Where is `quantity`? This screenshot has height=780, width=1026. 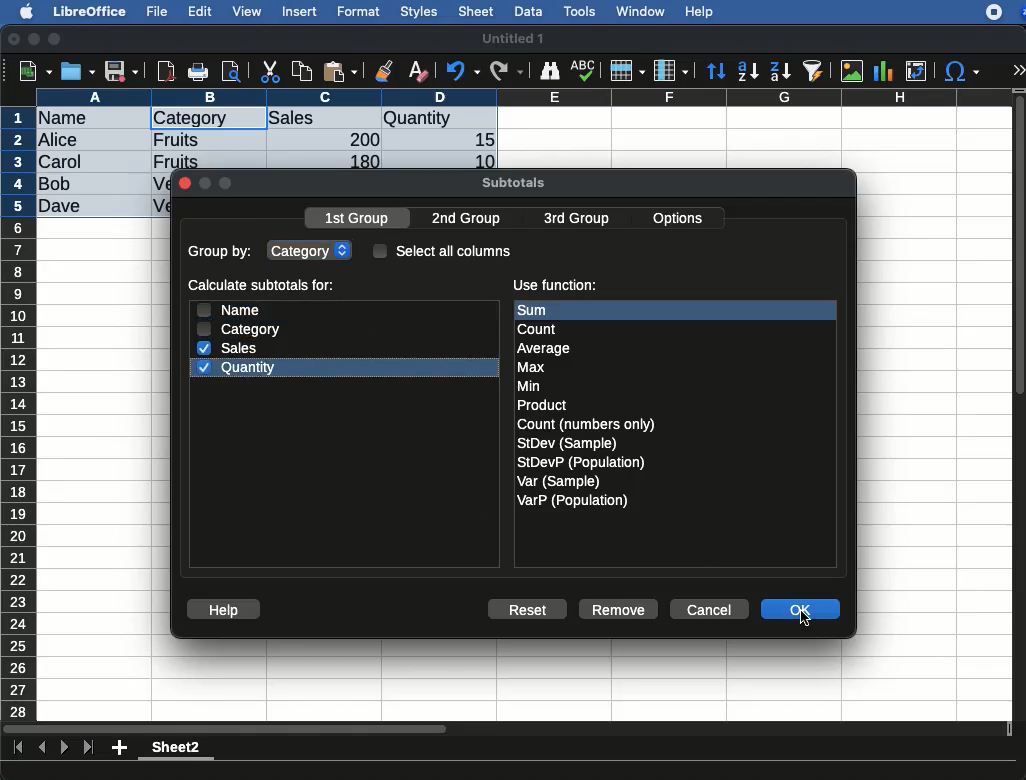
quantity is located at coordinates (439, 120).